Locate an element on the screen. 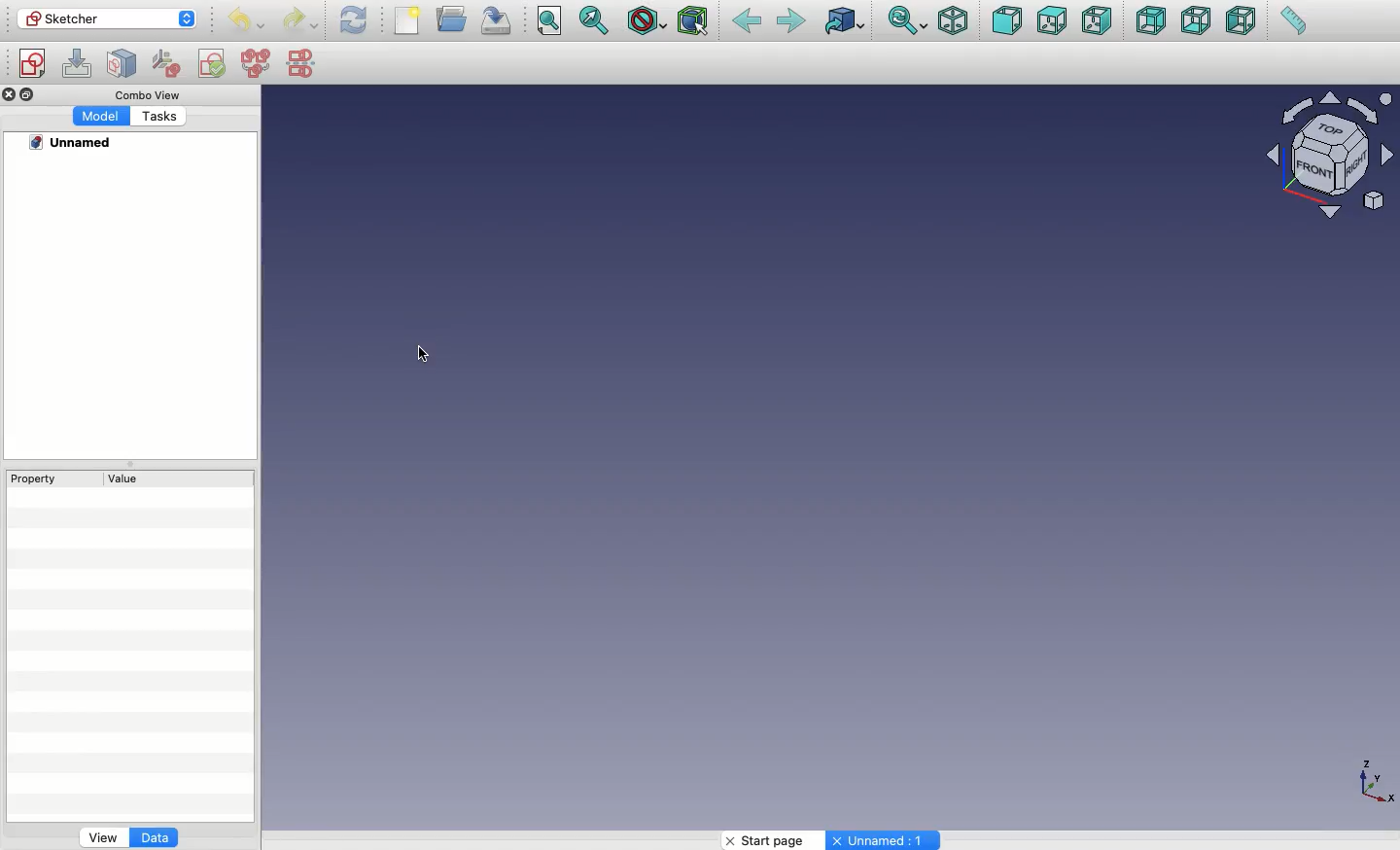 The width and height of the screenshot is (1400, 850). Measure is located at coordinates (1293, 20).